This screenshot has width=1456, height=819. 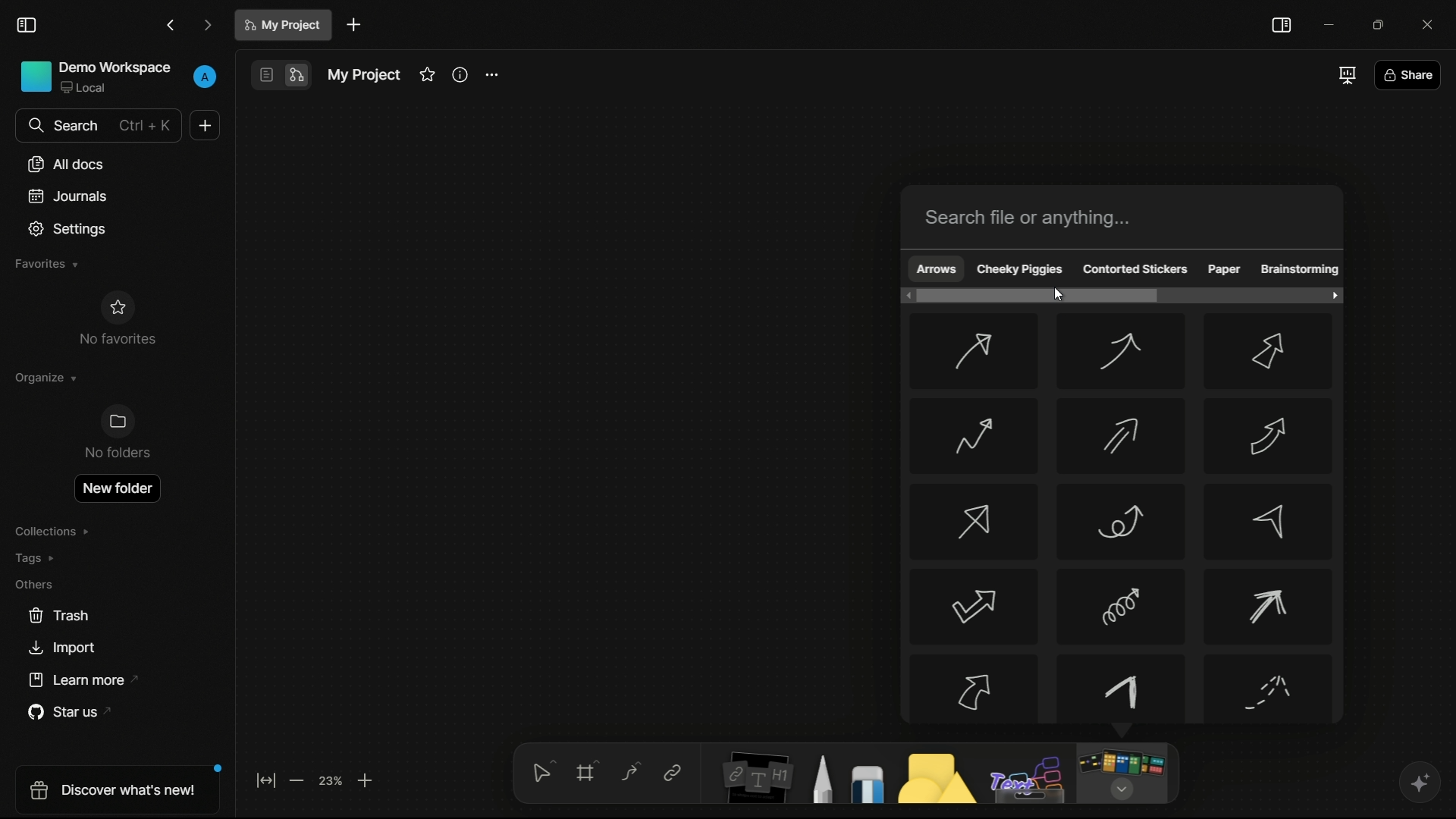 I want to click on select, so click(x=541, y=770).